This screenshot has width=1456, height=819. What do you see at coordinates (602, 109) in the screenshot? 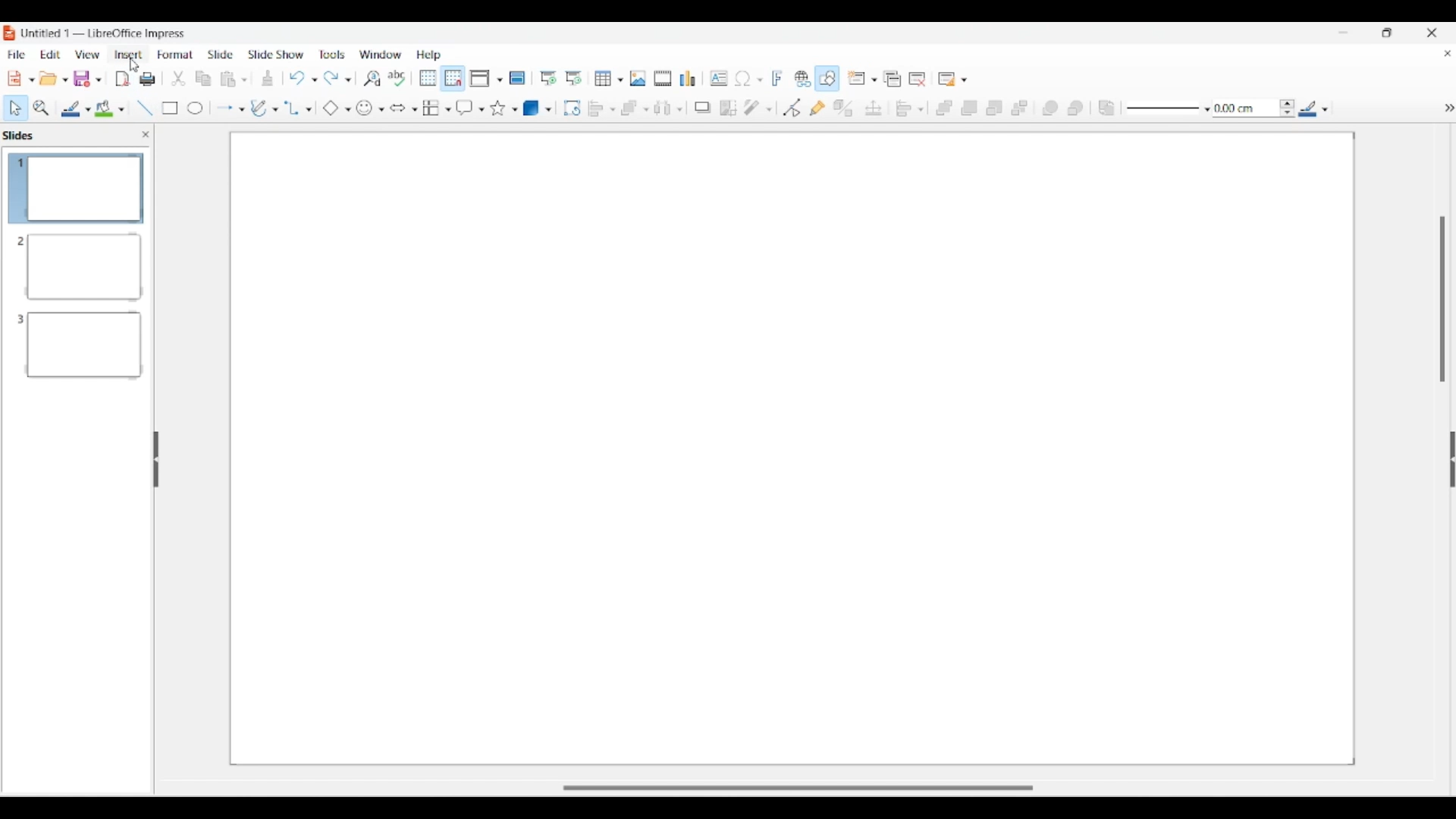
I see `Align object options` at bounding box center [602, 109].